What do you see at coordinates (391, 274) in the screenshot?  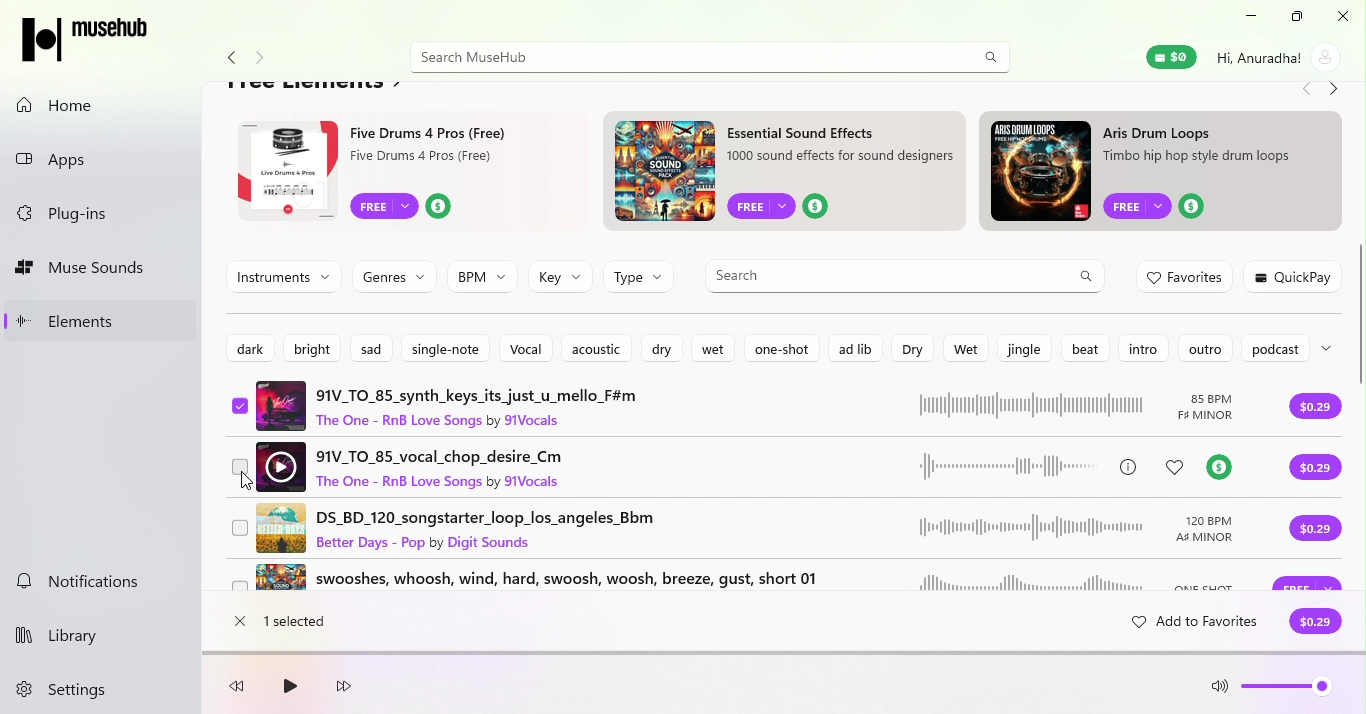 I see `Genres` at bounding box center [391, 274].